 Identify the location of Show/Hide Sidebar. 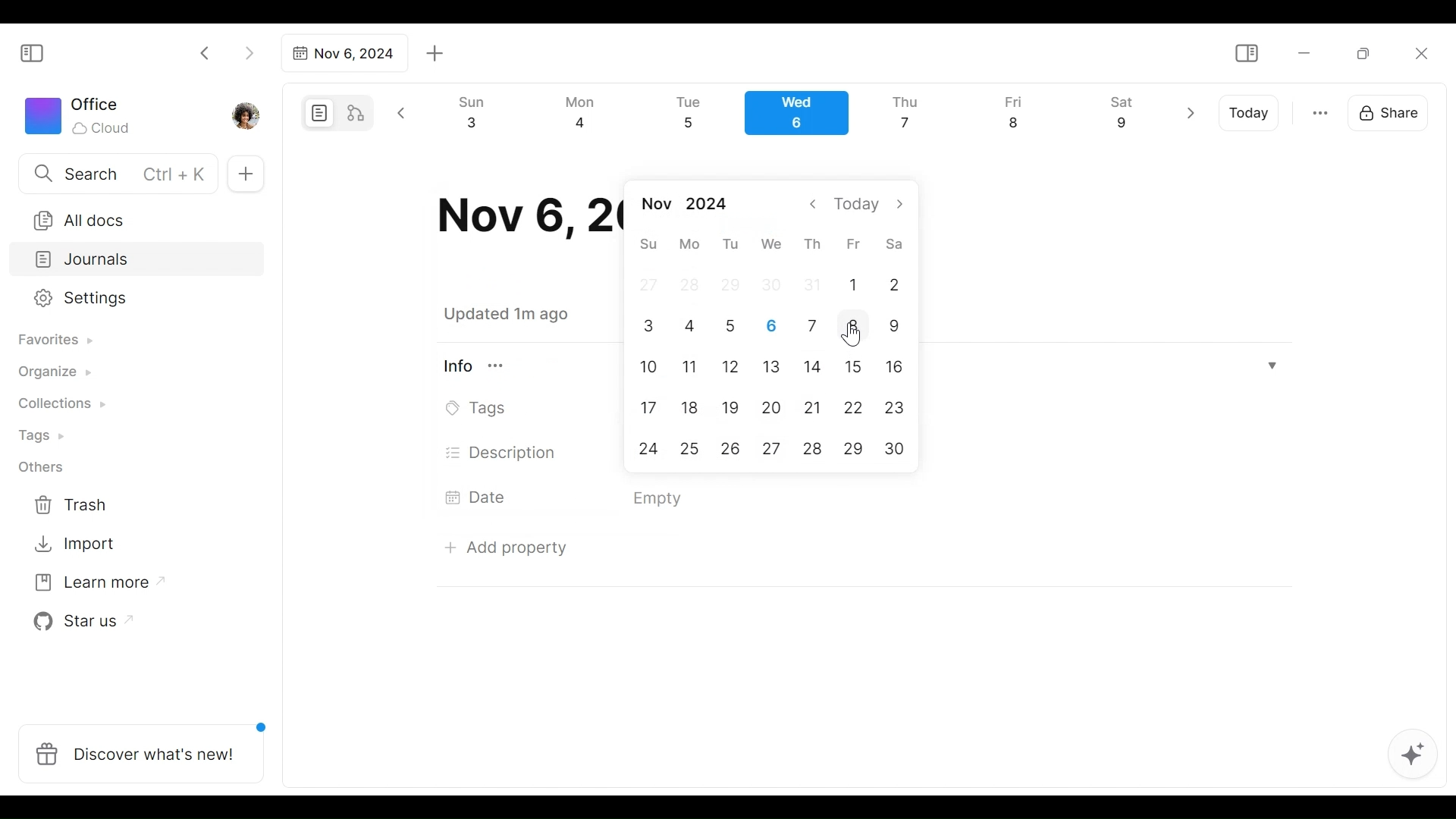
(1246, 54).